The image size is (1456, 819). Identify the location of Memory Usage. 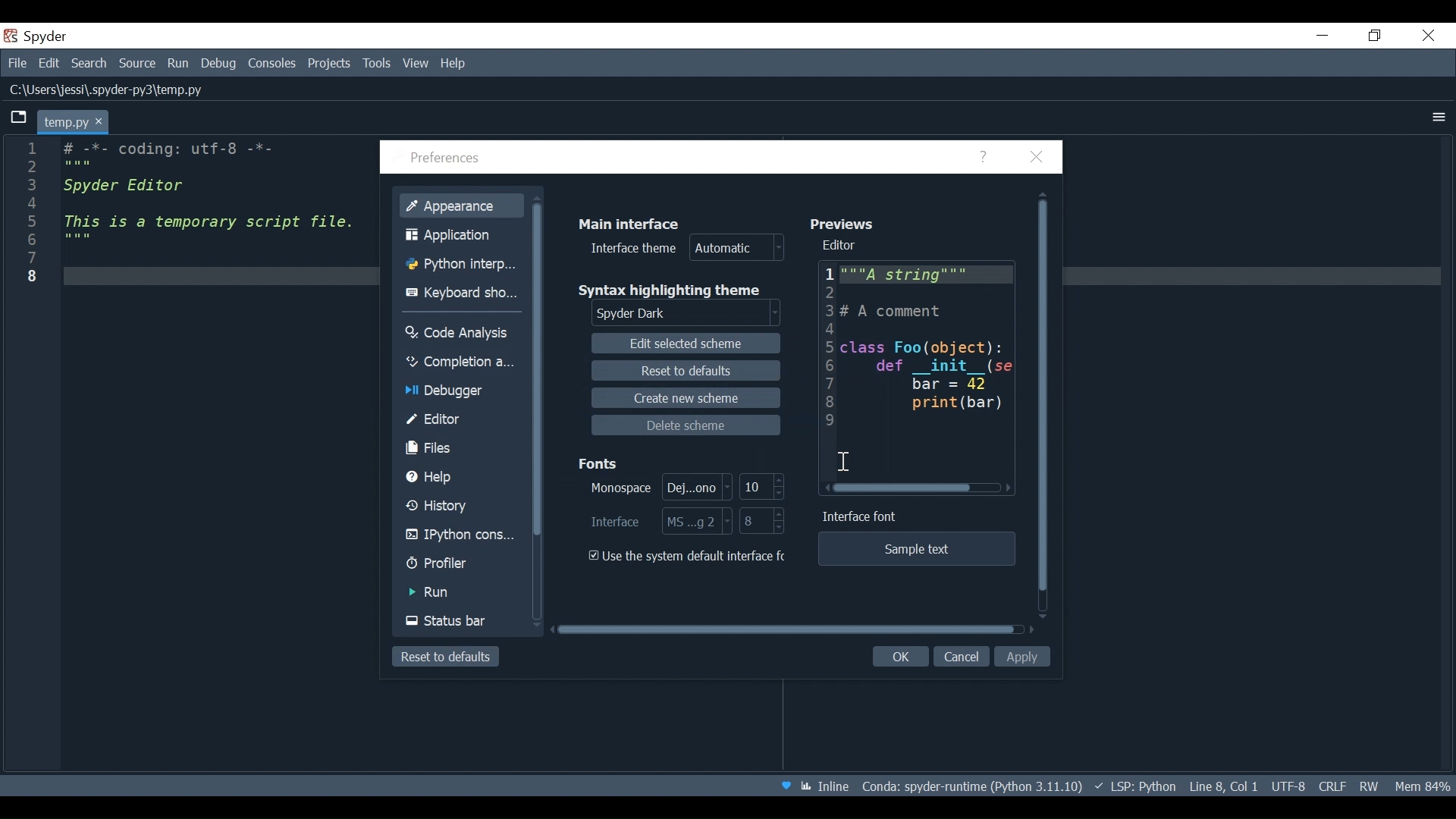
(1420, 785).